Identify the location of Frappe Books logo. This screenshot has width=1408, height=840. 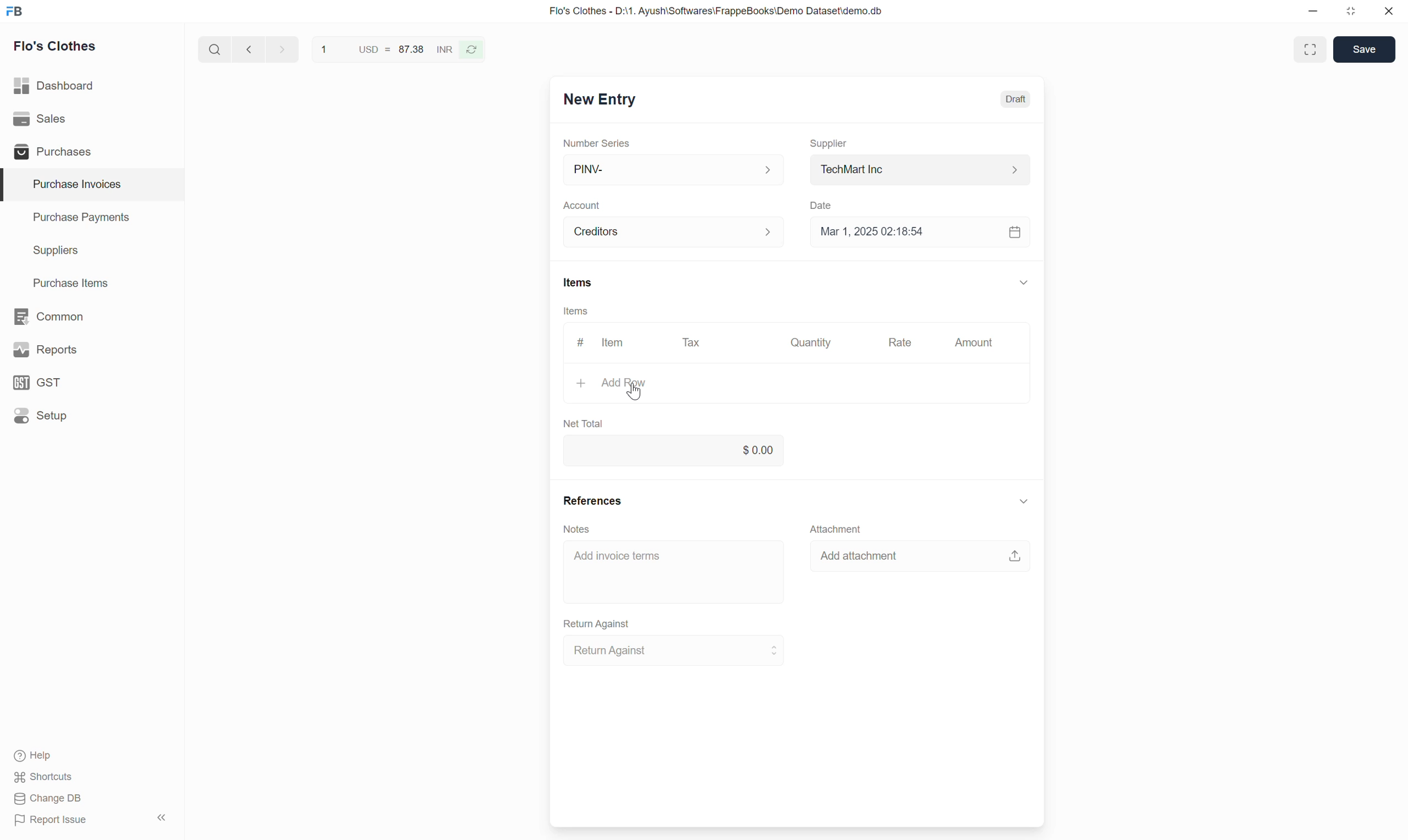
(14, 11).